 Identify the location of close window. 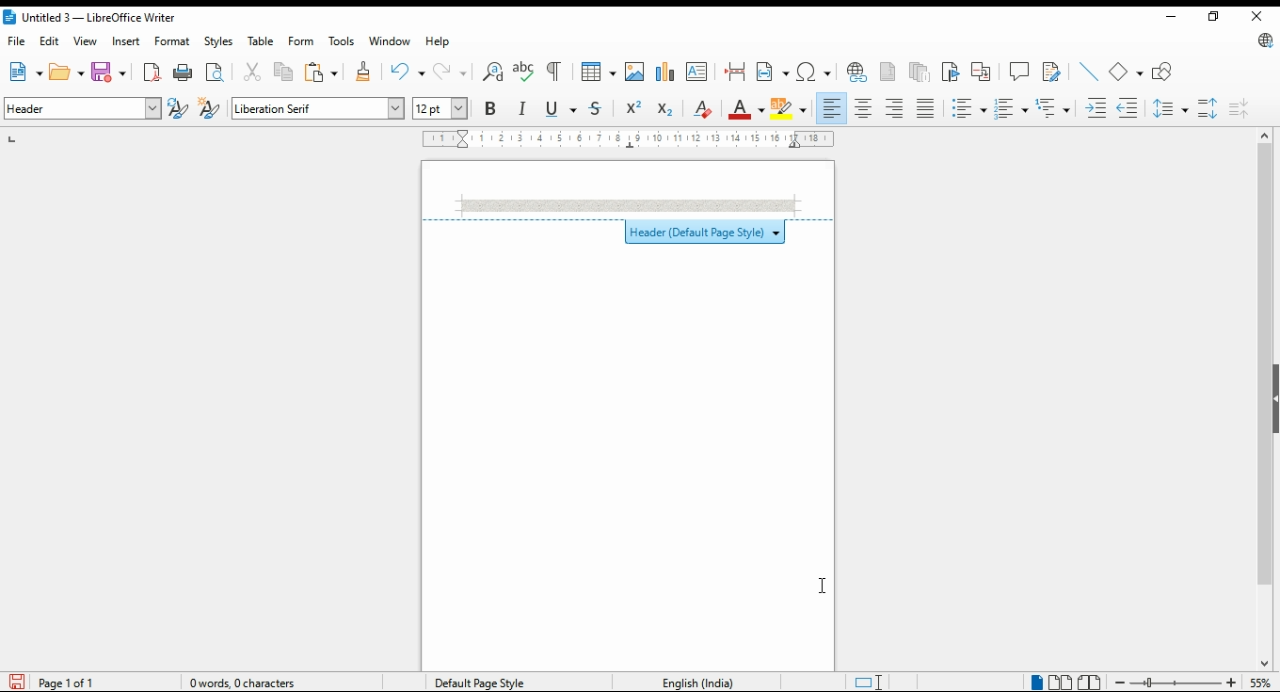
(1256, 17).